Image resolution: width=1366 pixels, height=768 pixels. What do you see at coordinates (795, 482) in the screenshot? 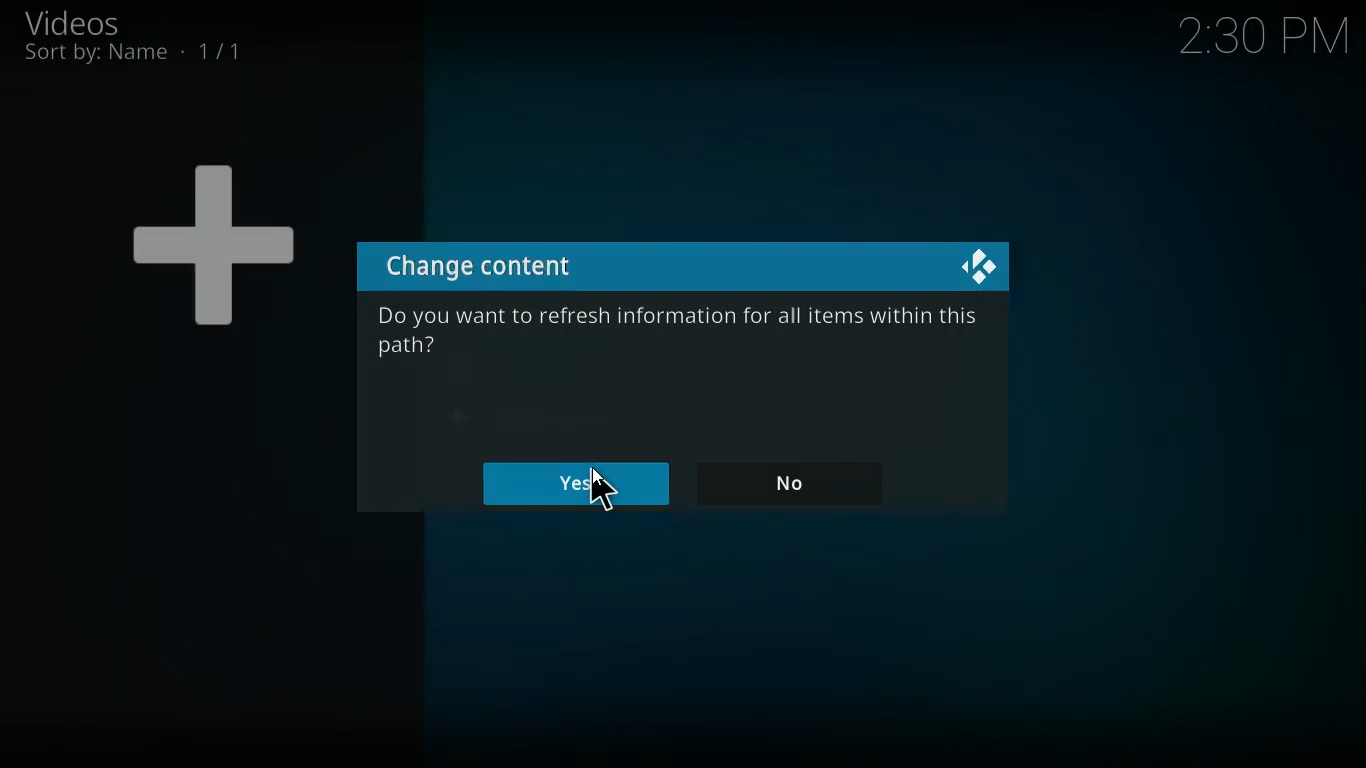
I see `no` at bounding box center [795, 482].